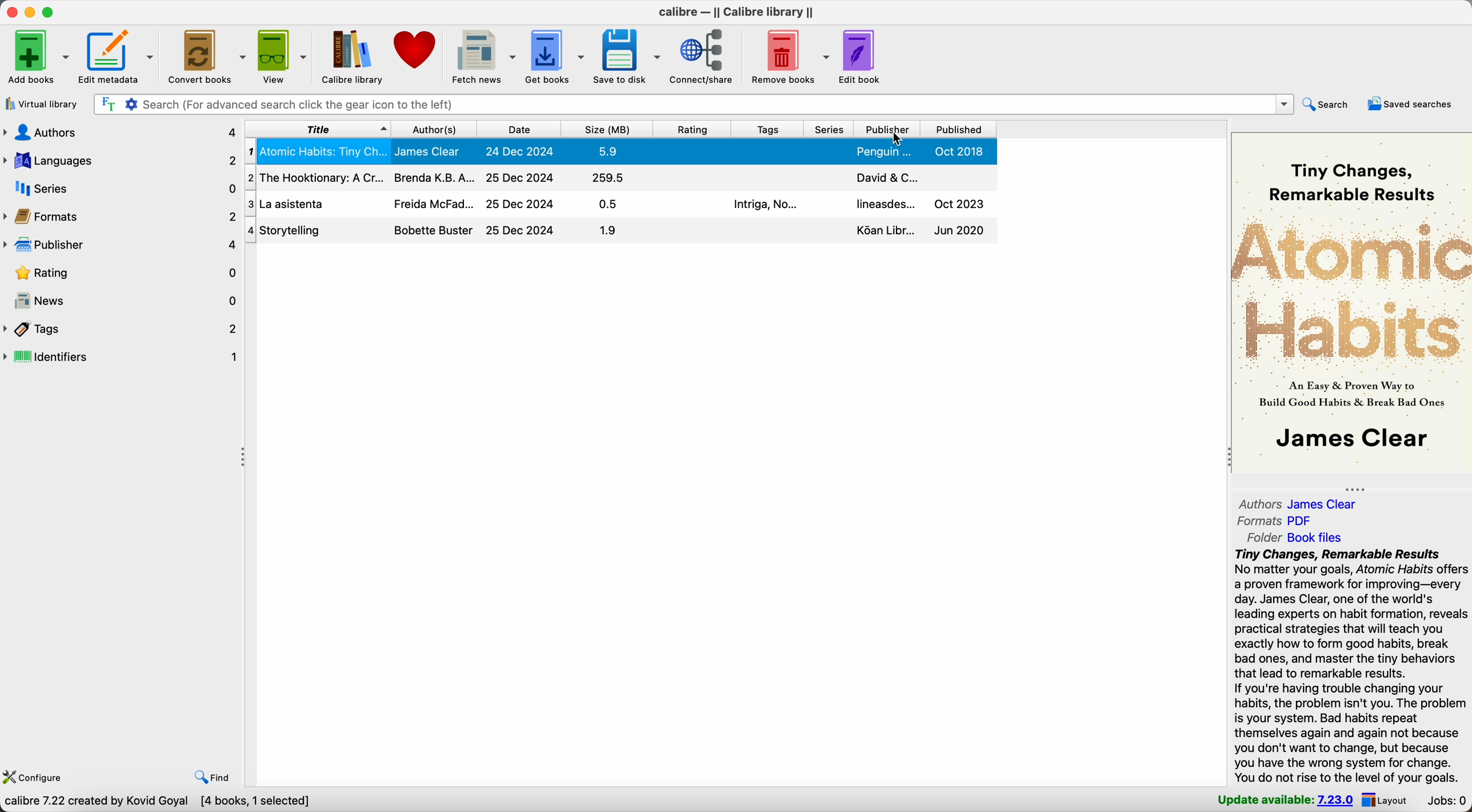 The width and height of the screenshot is (1472, 812). Describe the element at coordinates (318, 130) in the screenshot. I see `title` at that location.